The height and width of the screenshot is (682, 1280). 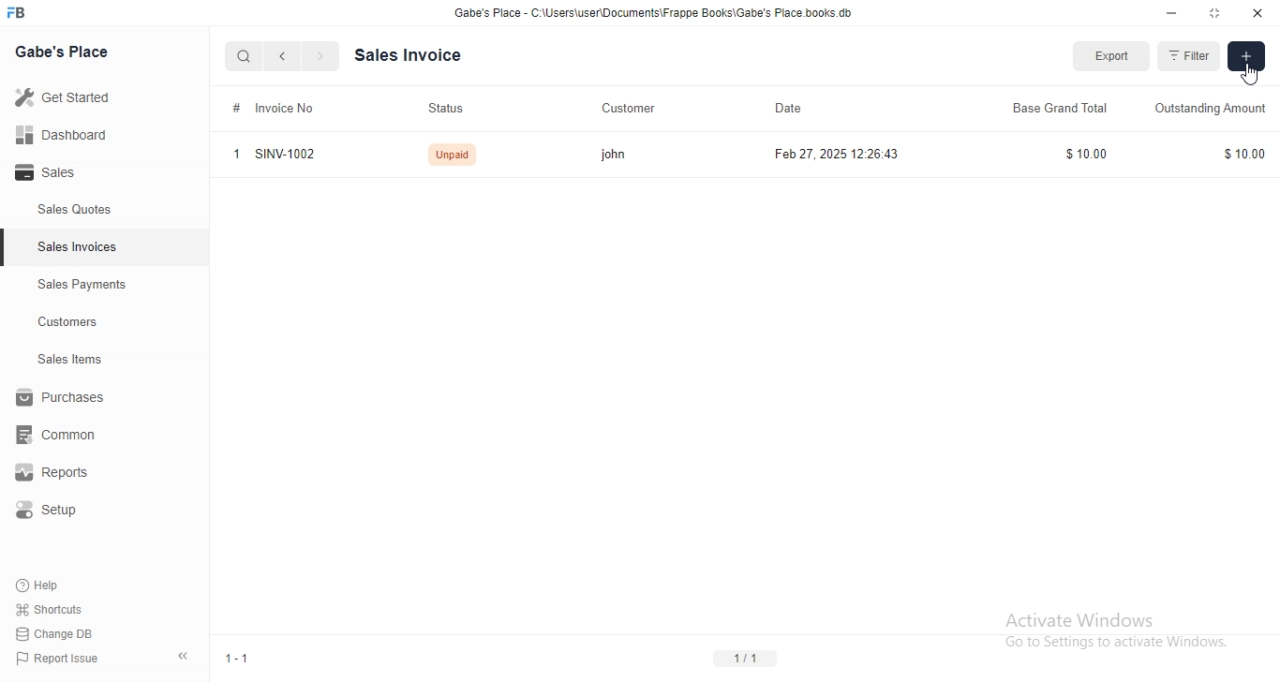 What do you see at coordinates (61, 360) in the screenshot?
I see `Sales Items` at bounding box center [61, 360].